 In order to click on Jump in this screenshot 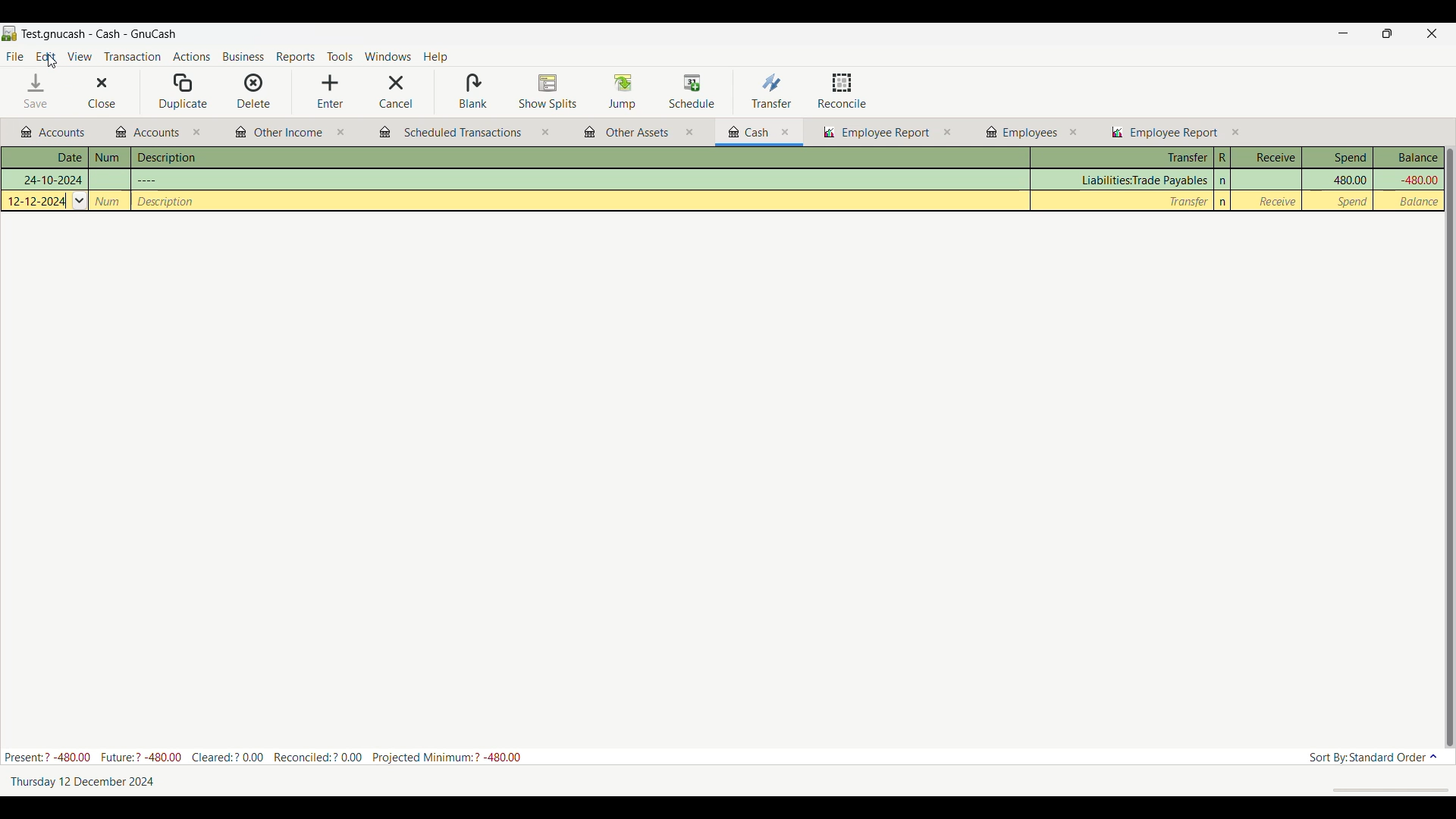, I will do `click(624, 92)`.